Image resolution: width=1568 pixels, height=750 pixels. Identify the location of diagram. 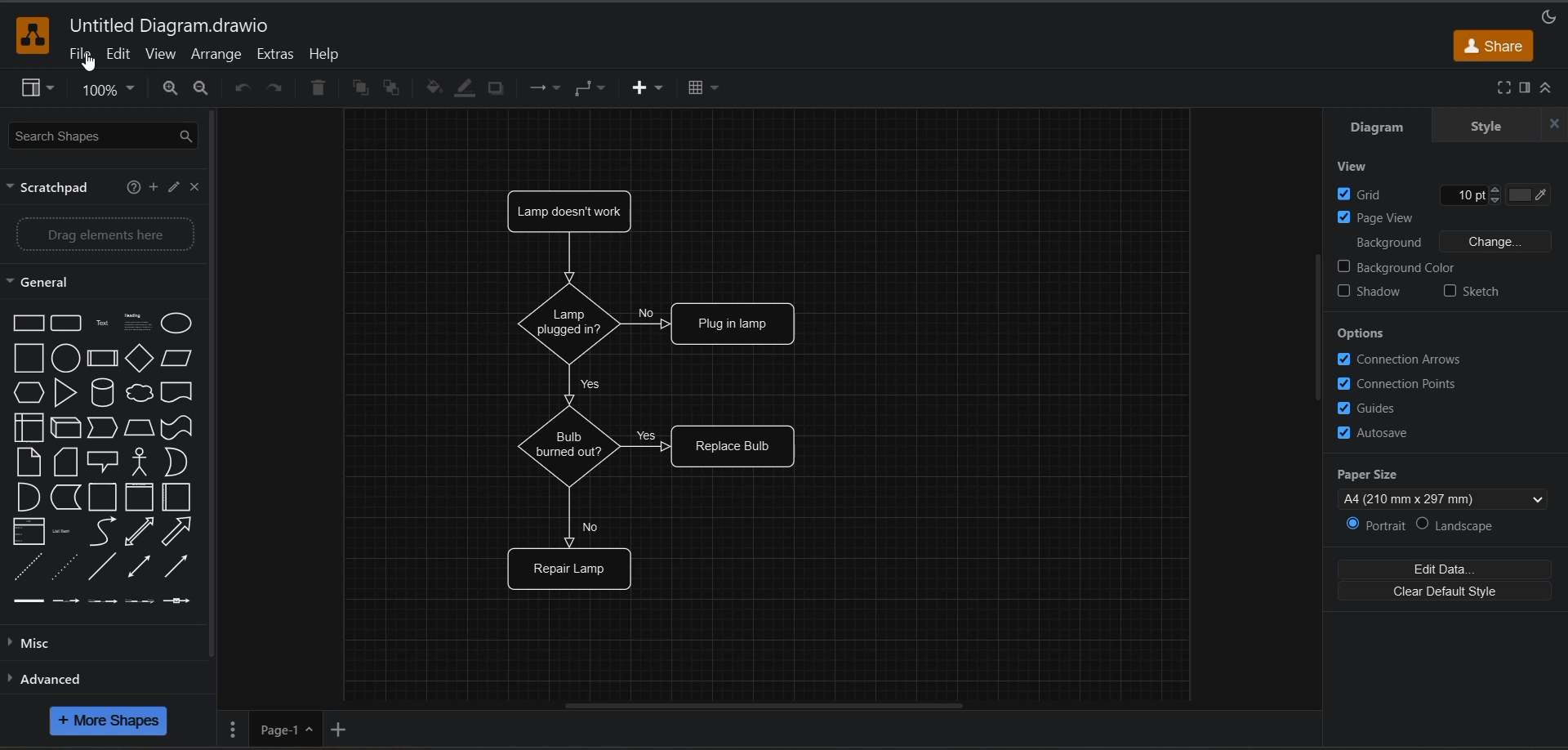
(650, 398).